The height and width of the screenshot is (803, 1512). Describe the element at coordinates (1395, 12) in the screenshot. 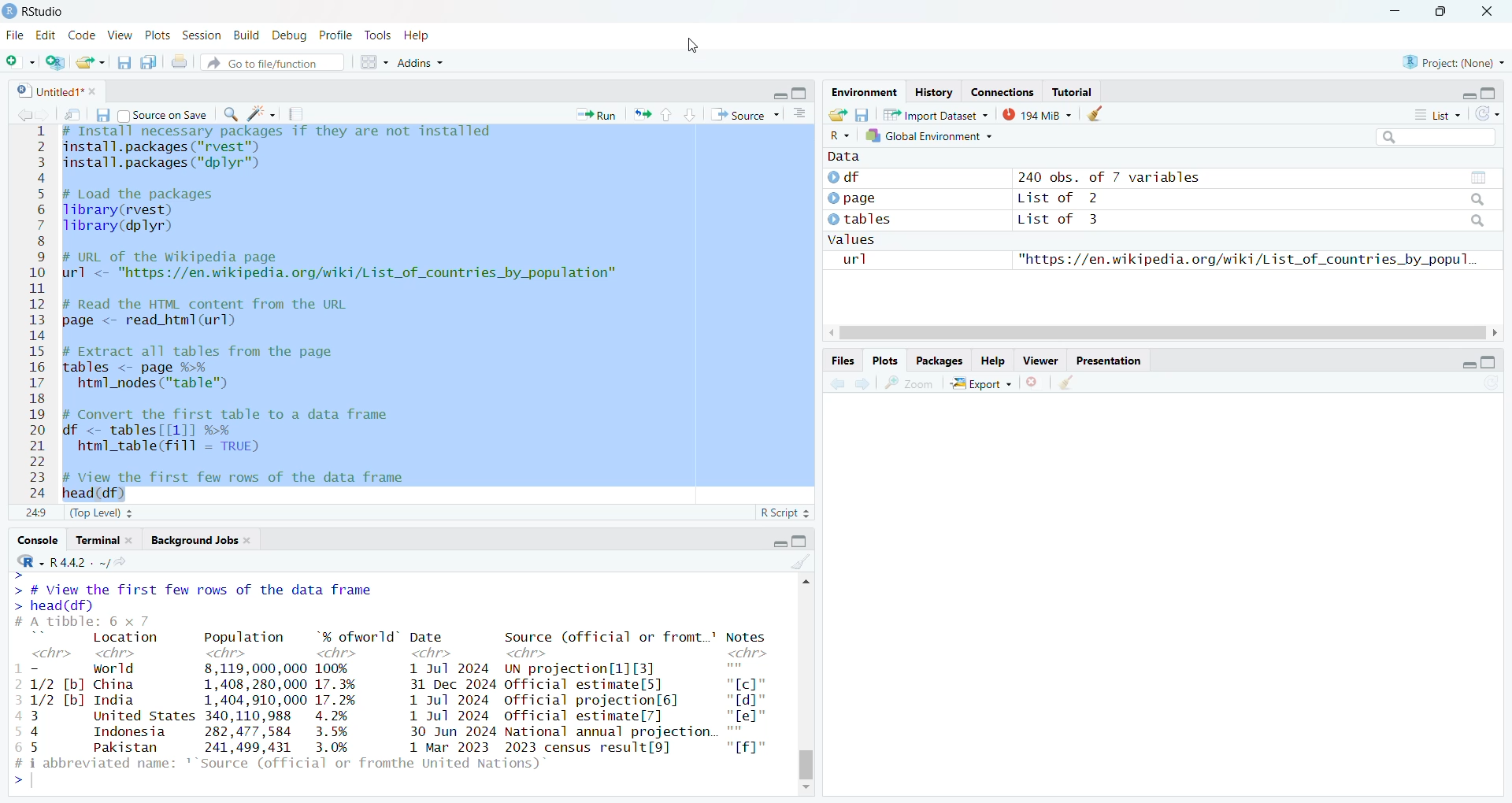

I see `minimize` at that location.